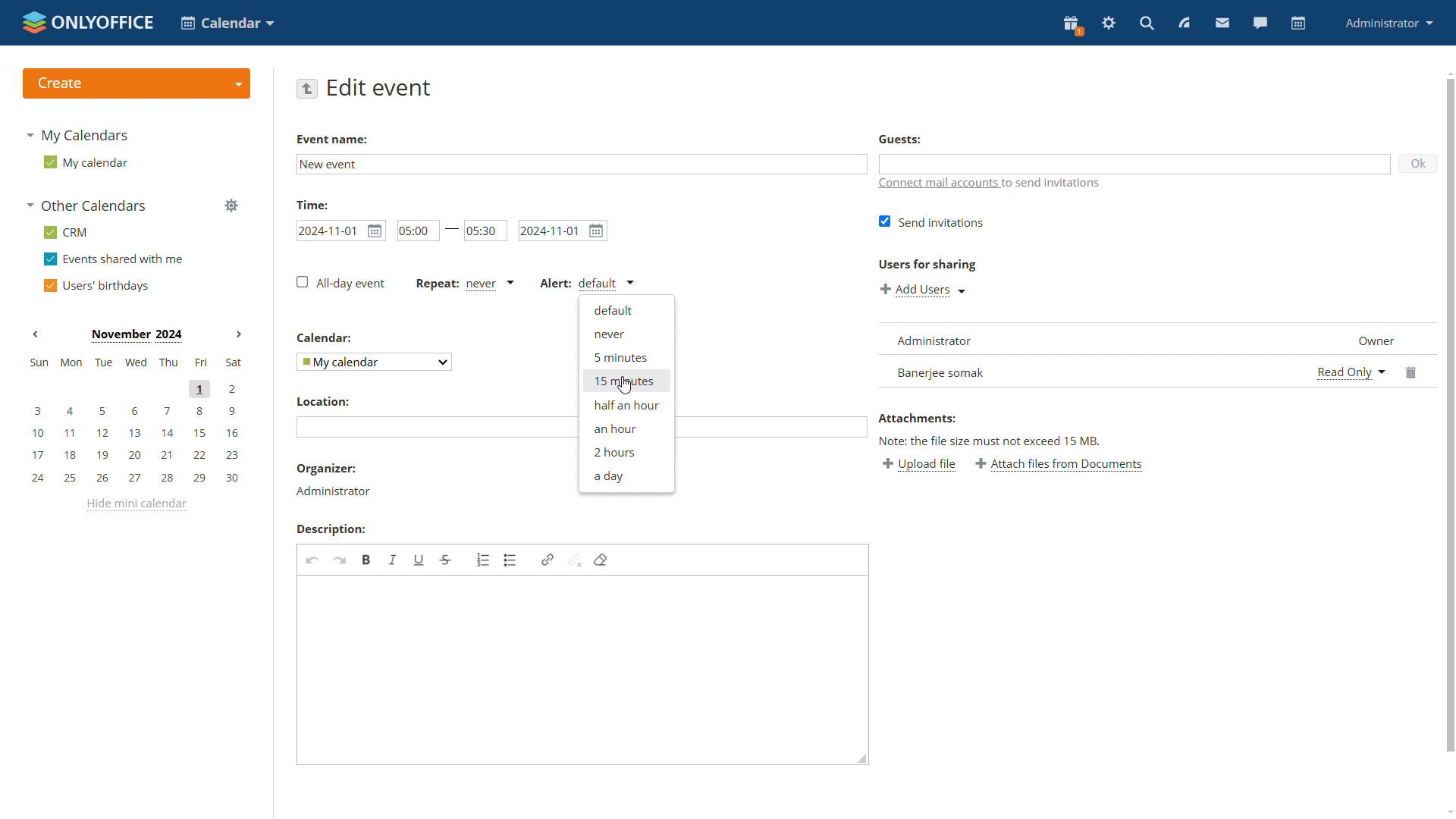  Describe the element at coordinates (463, 285) in the screenshot. I see `event repetetition` at that location.